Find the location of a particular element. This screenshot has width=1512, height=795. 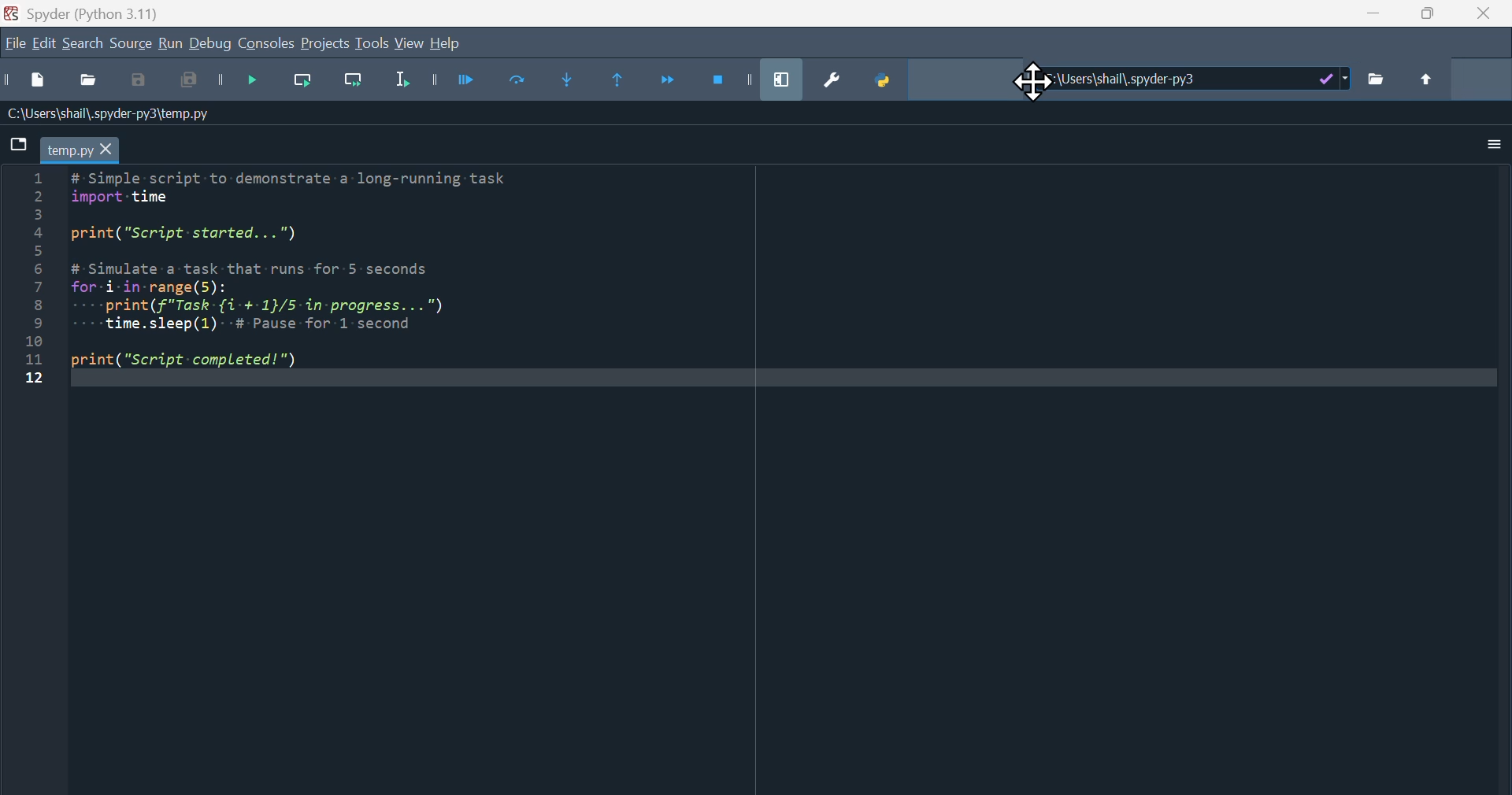

Continue execution until next function is located at coordinates (670, 83).